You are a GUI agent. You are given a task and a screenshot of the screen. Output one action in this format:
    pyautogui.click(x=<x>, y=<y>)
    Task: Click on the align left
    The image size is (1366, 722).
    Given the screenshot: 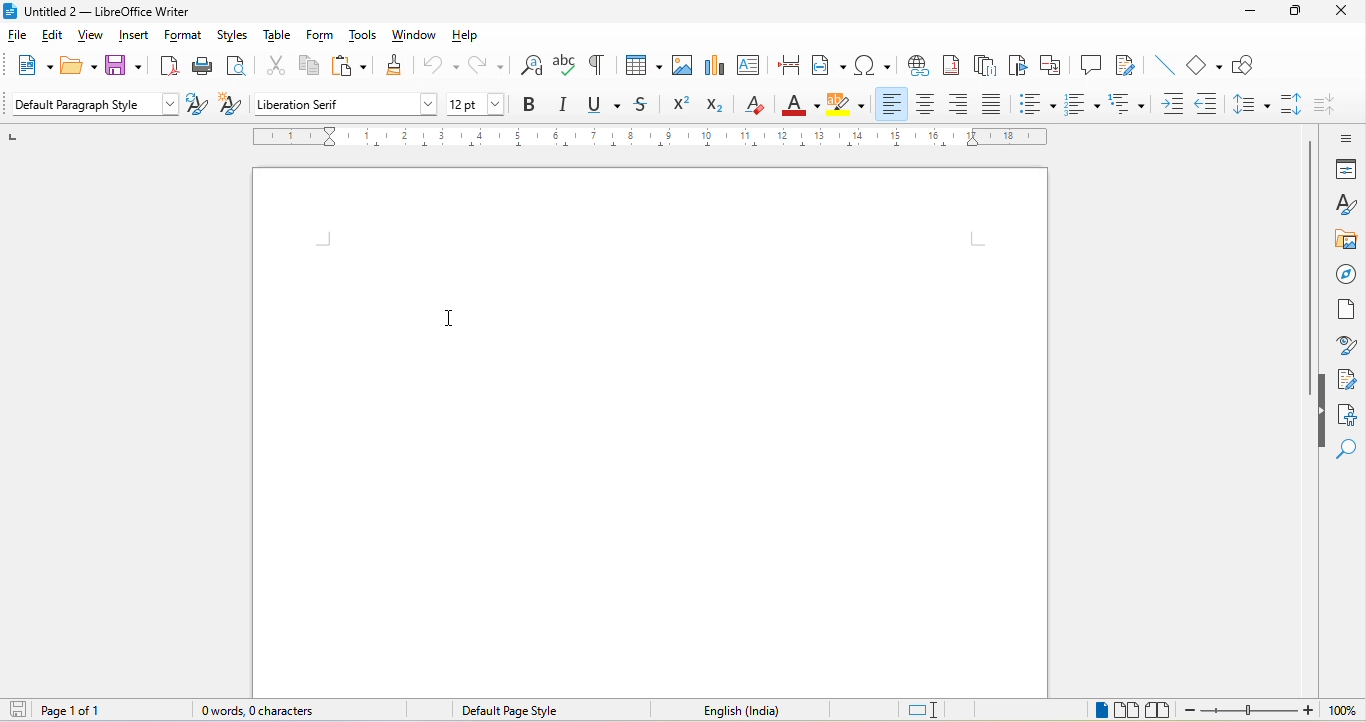 What is the action you would take?
    pyautogui.click(x=892, y=104)
    